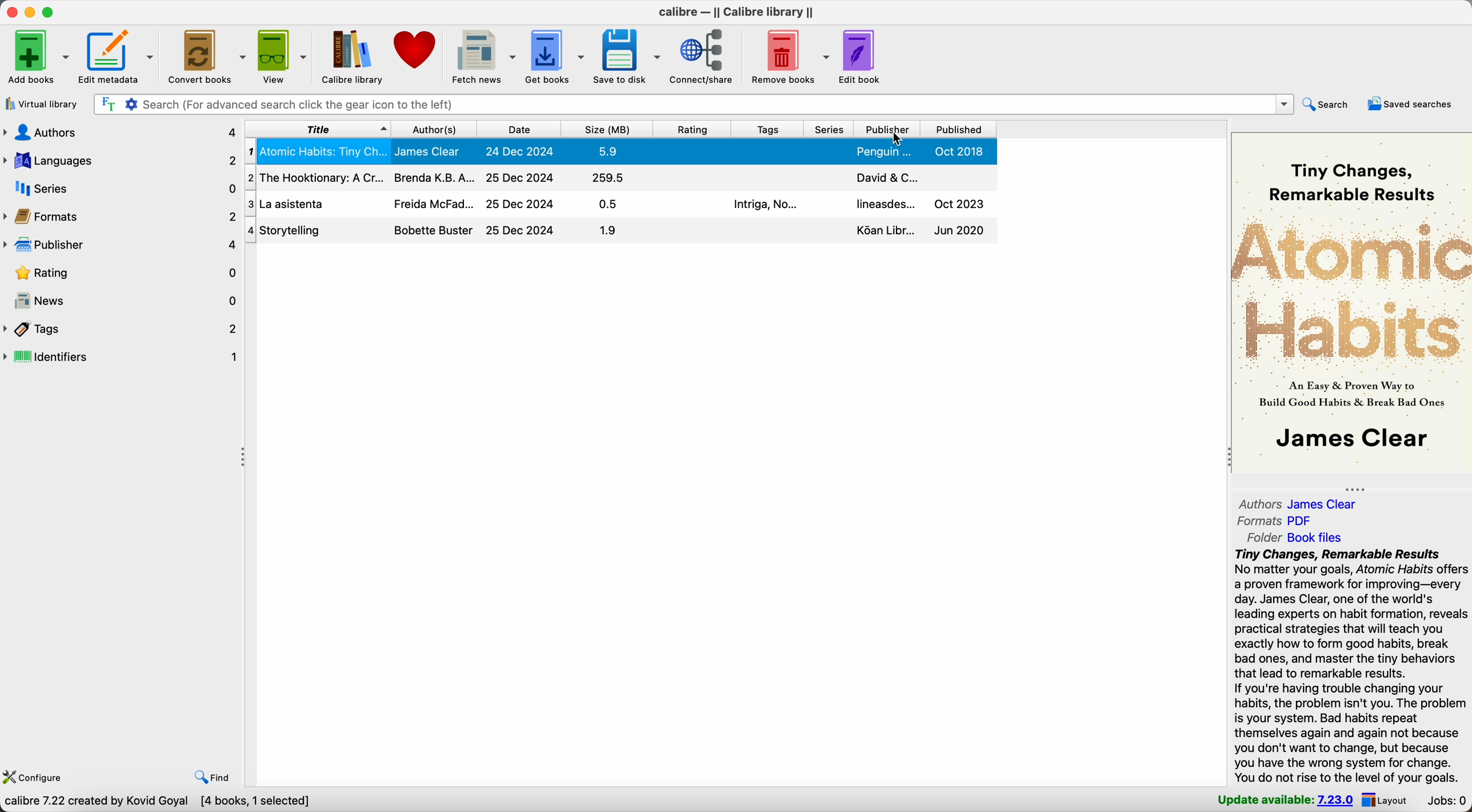 The image size is (1472, 812). Describe the element at coordinates (521, 178) in the screenshot. I see `25 Dec 2024` at that location.